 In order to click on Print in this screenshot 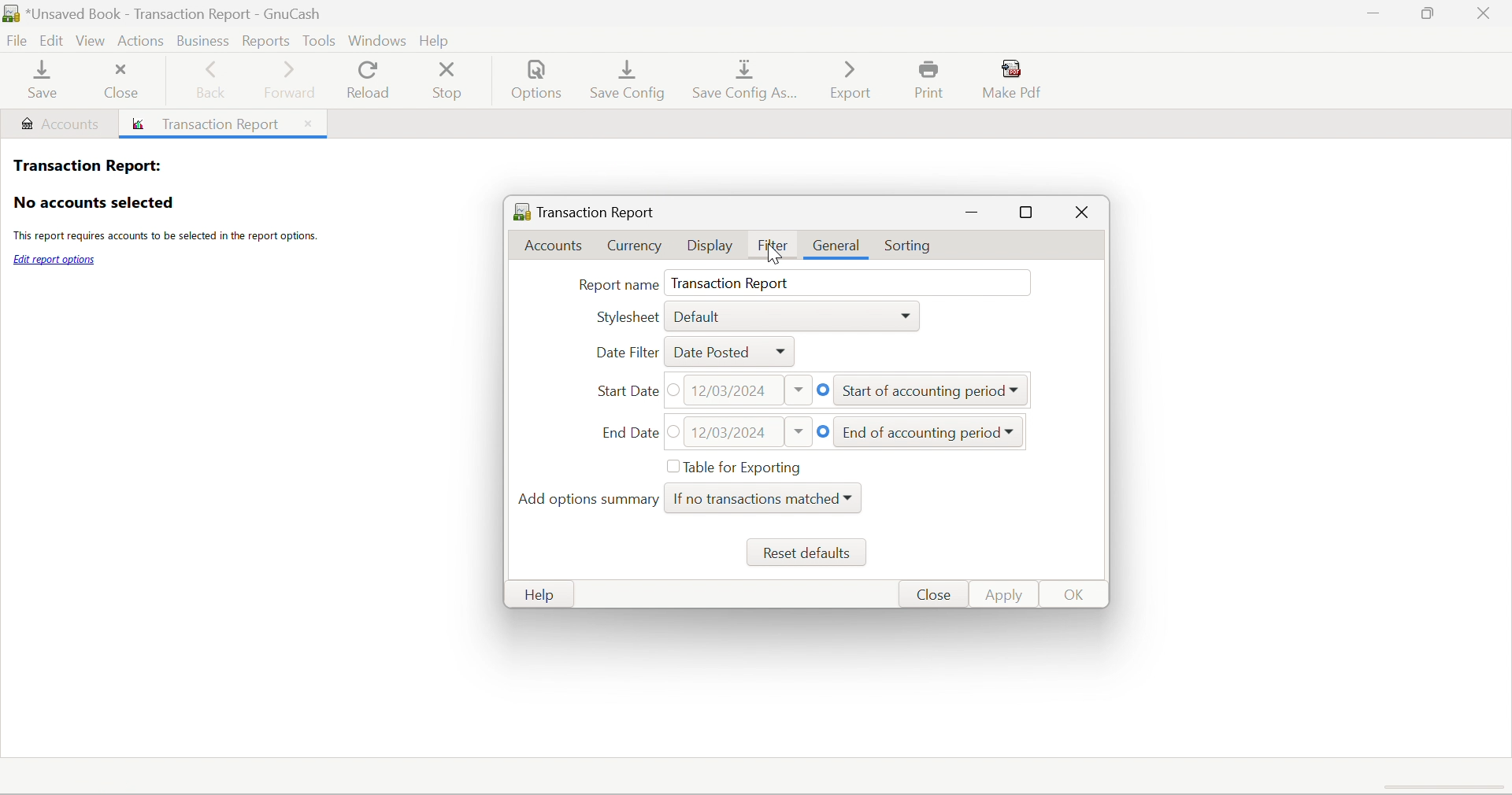, I will do `click(933, 80)`.